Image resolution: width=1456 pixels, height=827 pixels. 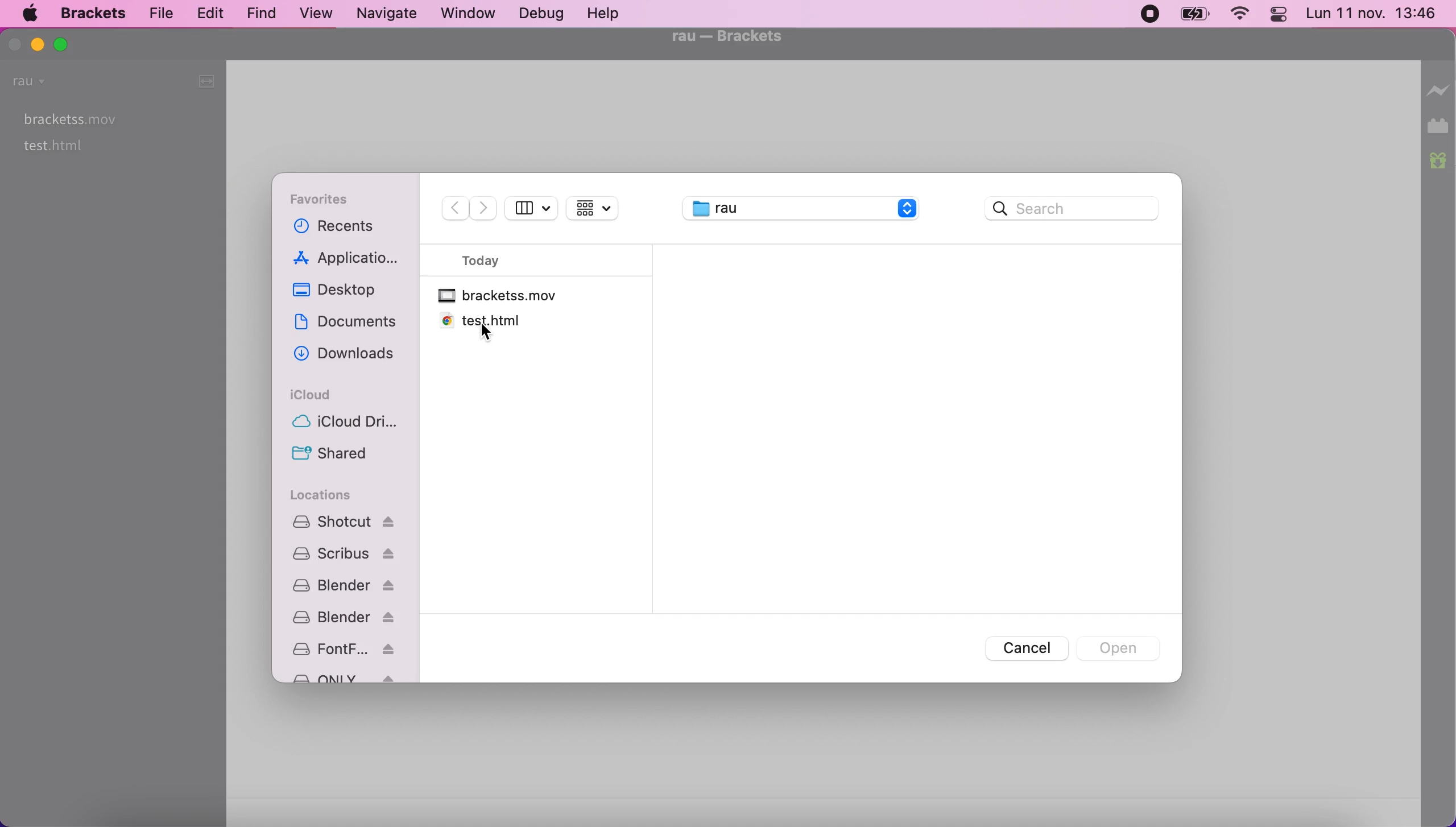 What do you see at coordinates (320, 397) in the screenshot?
I see `icloud` at bounding box center [320, 397].